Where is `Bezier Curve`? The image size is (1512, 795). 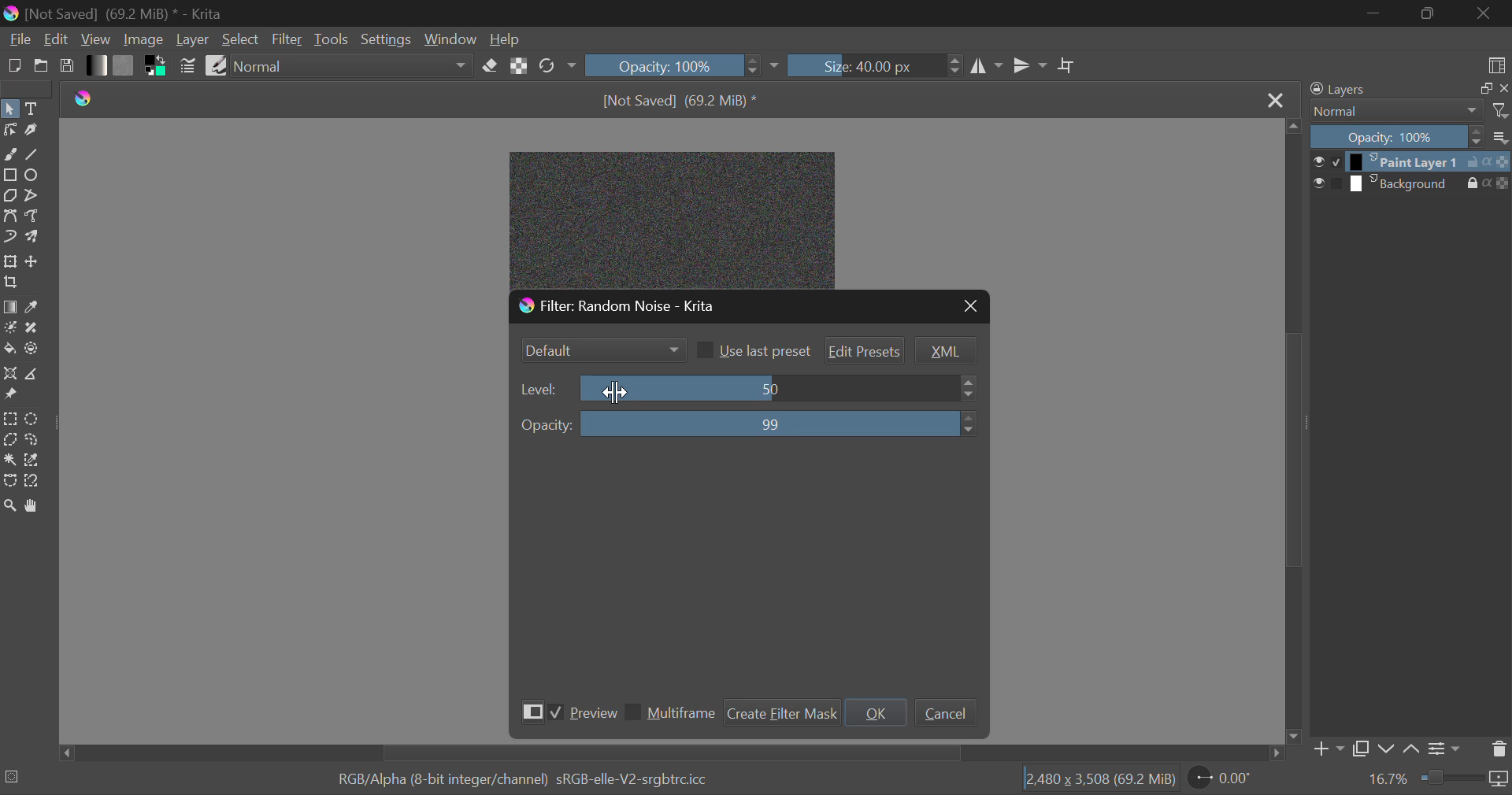
Bezier Curve is located at coordinates (9, 481).